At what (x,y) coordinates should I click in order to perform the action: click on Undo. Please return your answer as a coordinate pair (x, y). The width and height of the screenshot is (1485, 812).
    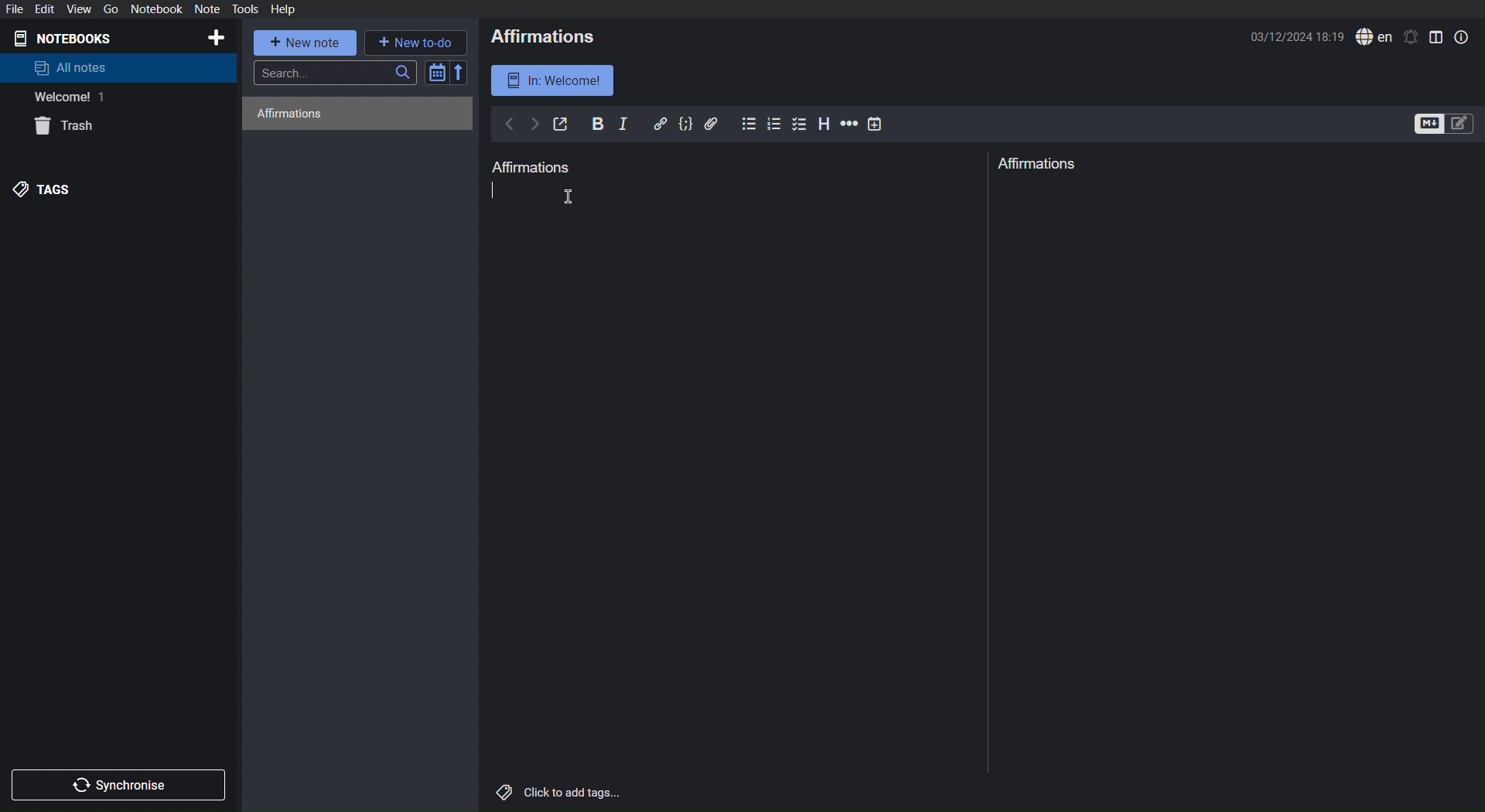
    Looking at the image, I should click on (509, 125).